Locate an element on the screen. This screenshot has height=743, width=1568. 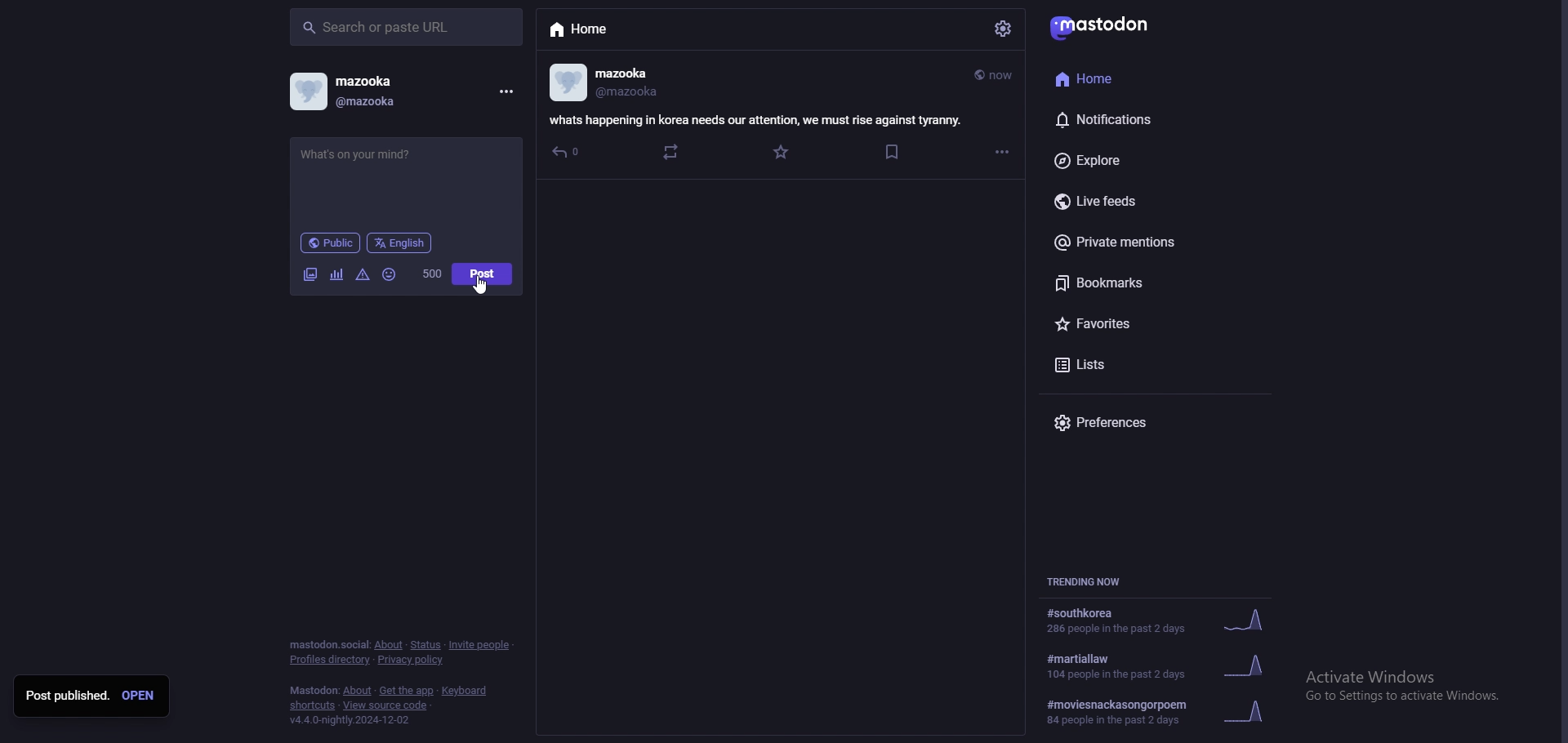
status is located at coordinates (405, 162).